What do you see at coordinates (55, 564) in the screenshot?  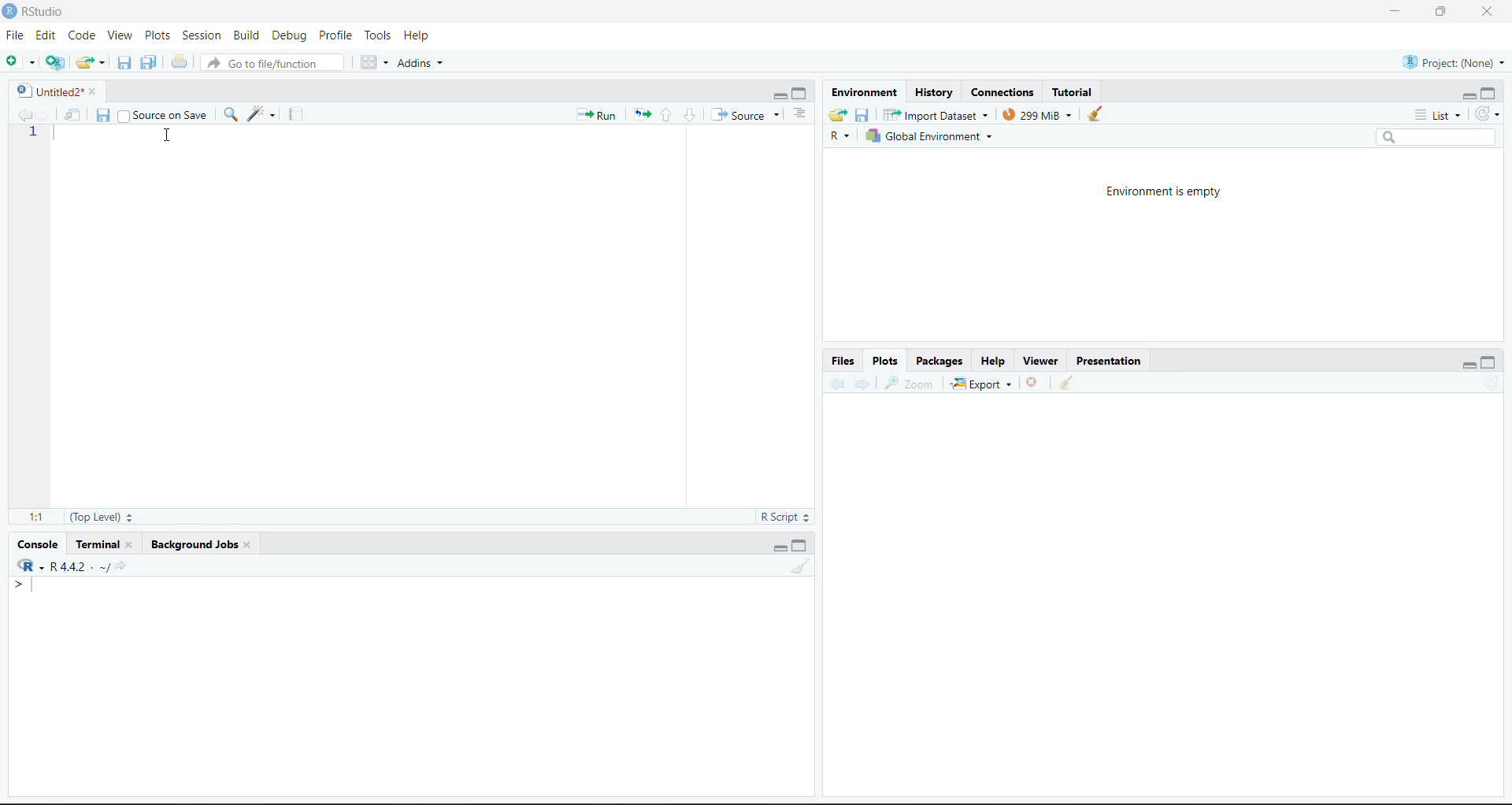 I see `R 4.4.2` at bounding box center [55, 564].